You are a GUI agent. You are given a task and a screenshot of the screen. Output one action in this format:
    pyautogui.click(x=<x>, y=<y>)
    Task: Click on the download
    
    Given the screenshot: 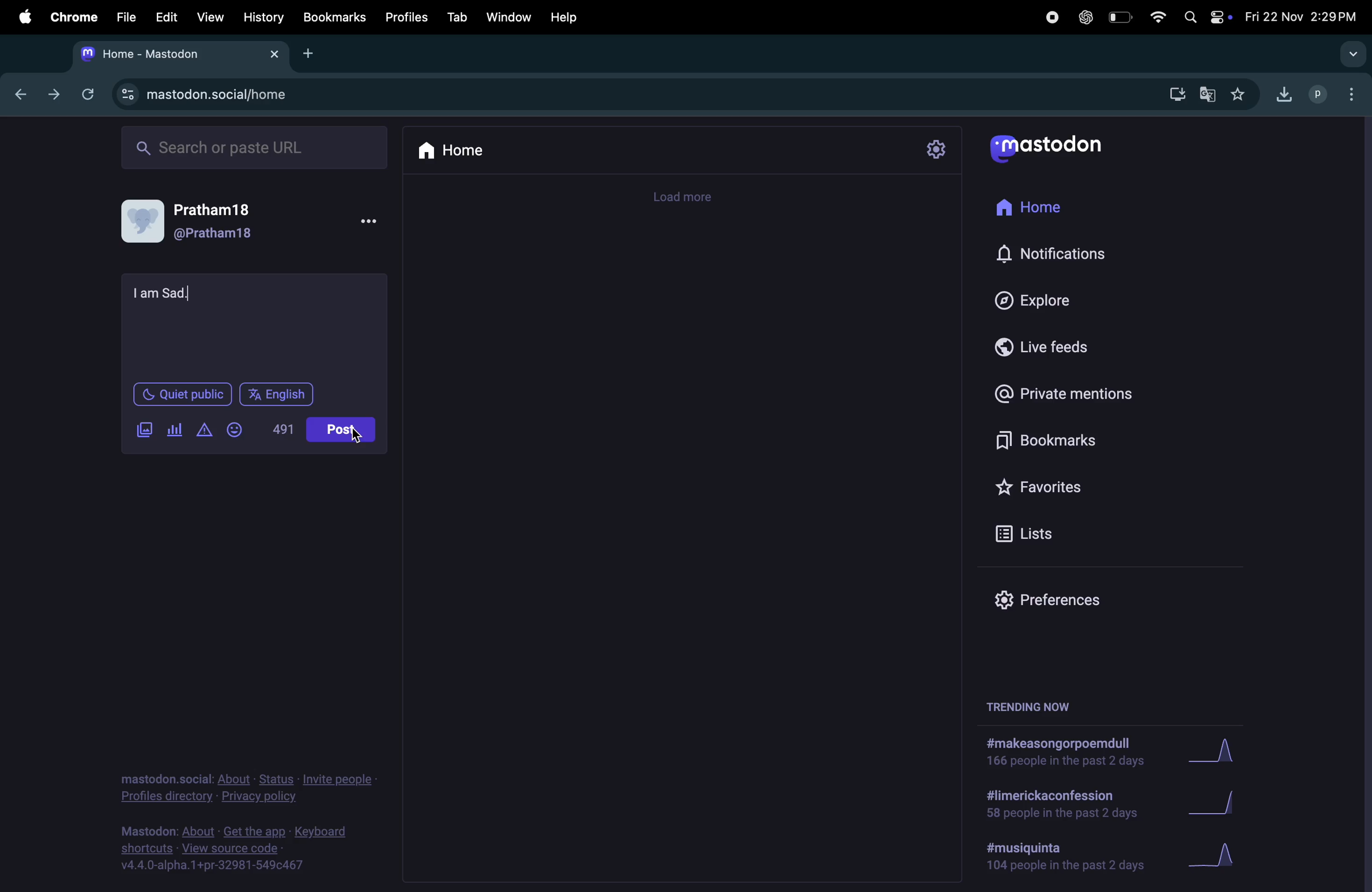 What is the action you would take?
    pyautogui.click(x=1175, y=95)
    